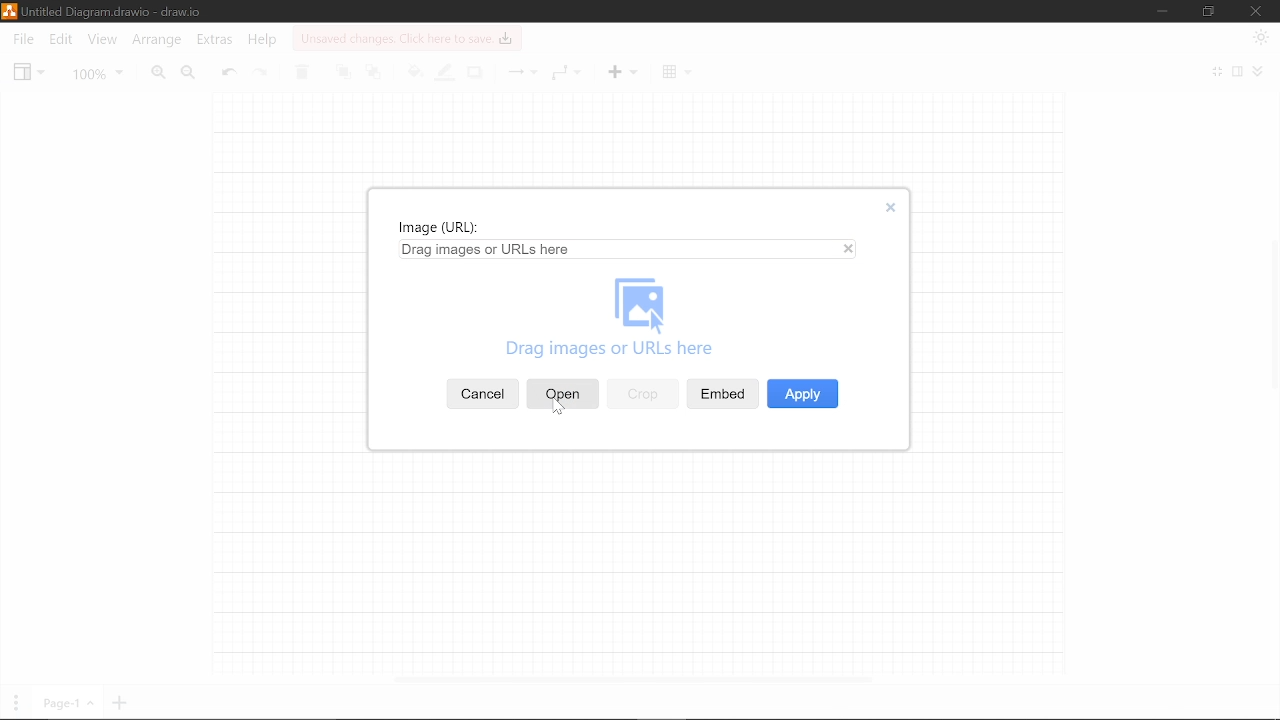 The height and width of the screenshot is (720, 1280). What do you see at coordinates (889, 208) in the screenshot?
I see `Close` at bounding box center [889, 208].